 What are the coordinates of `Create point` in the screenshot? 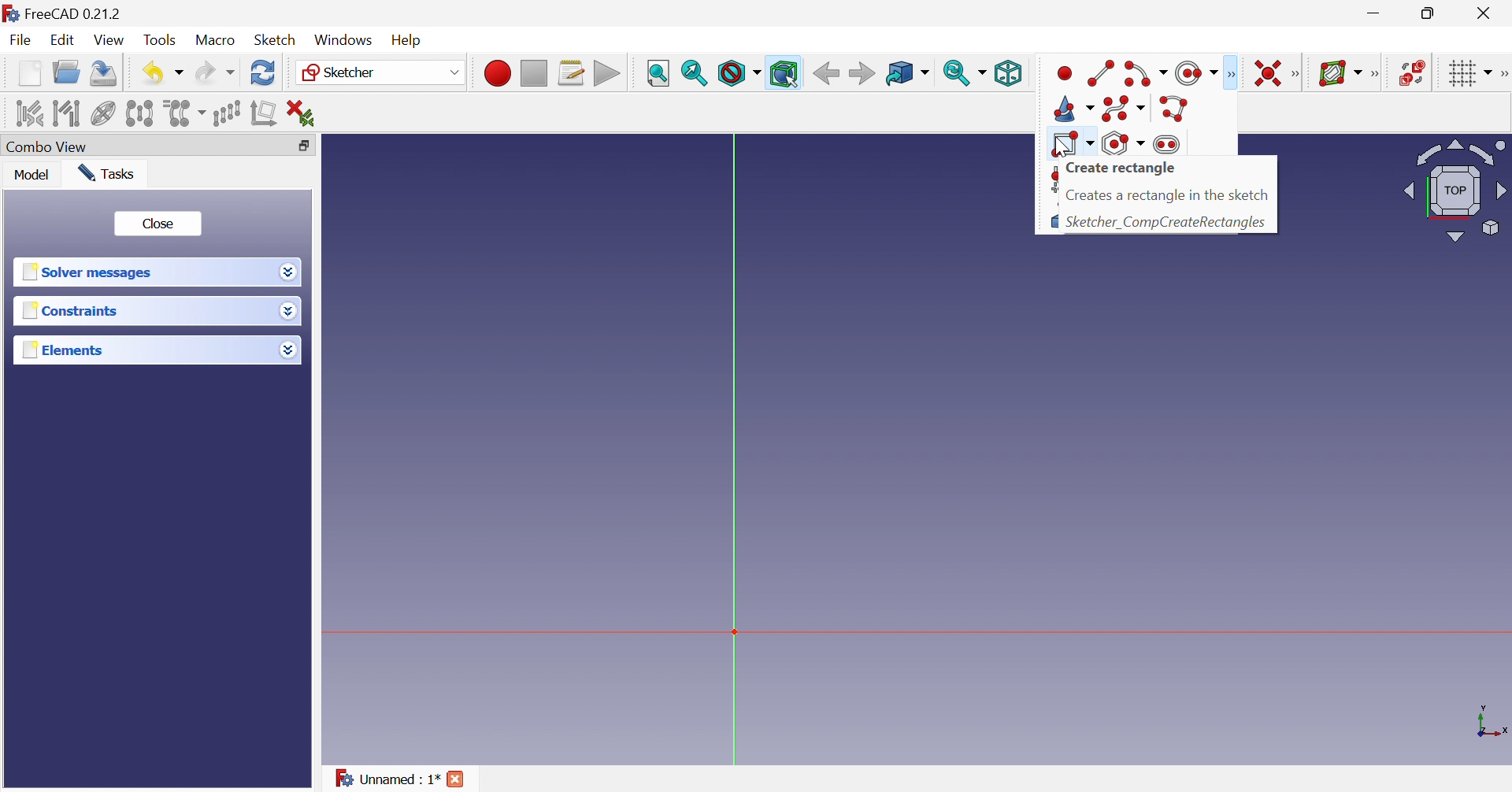 It's located at (1063, 73).